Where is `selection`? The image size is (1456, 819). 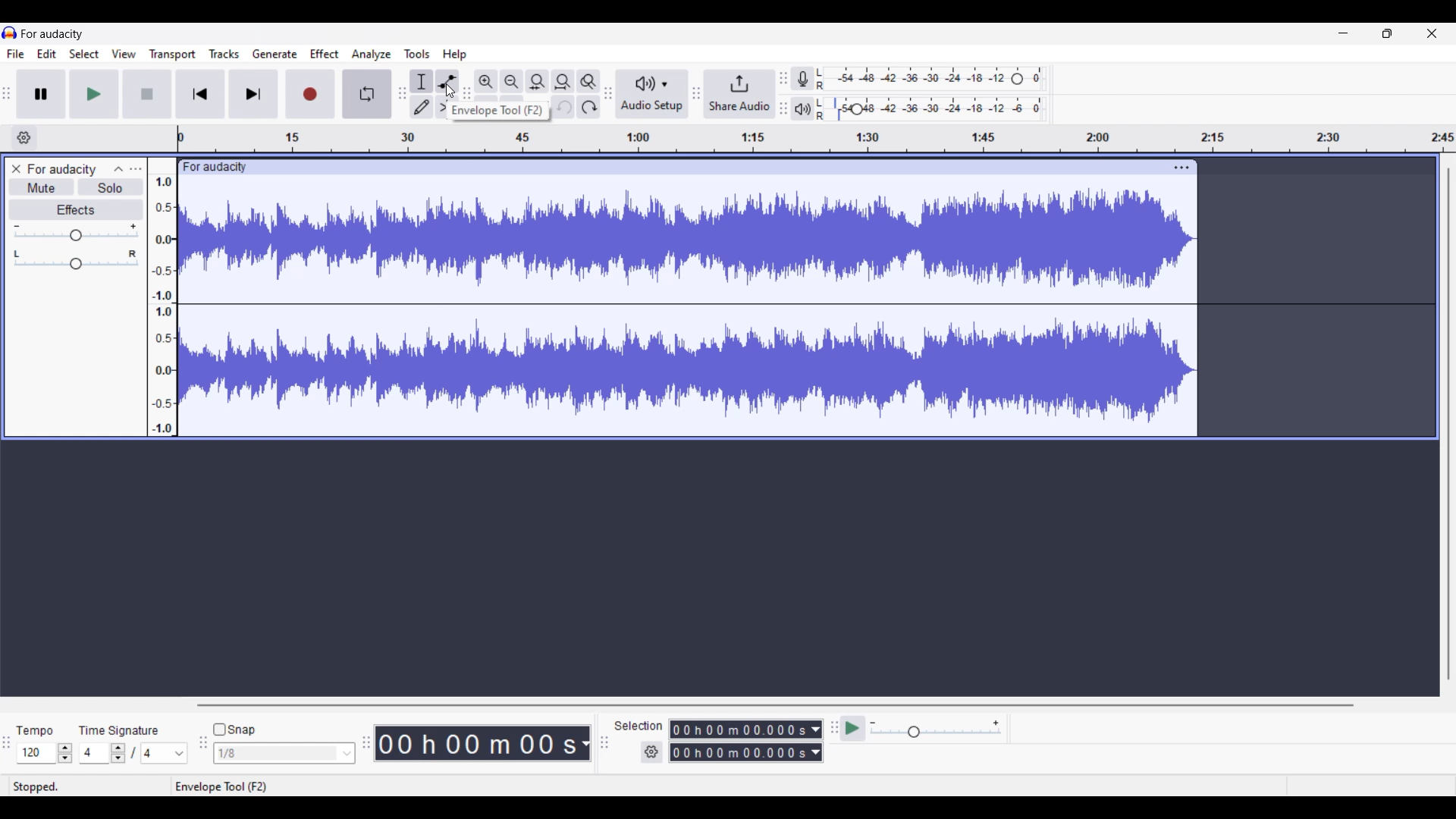
selection is located at coordinates (638, 725).